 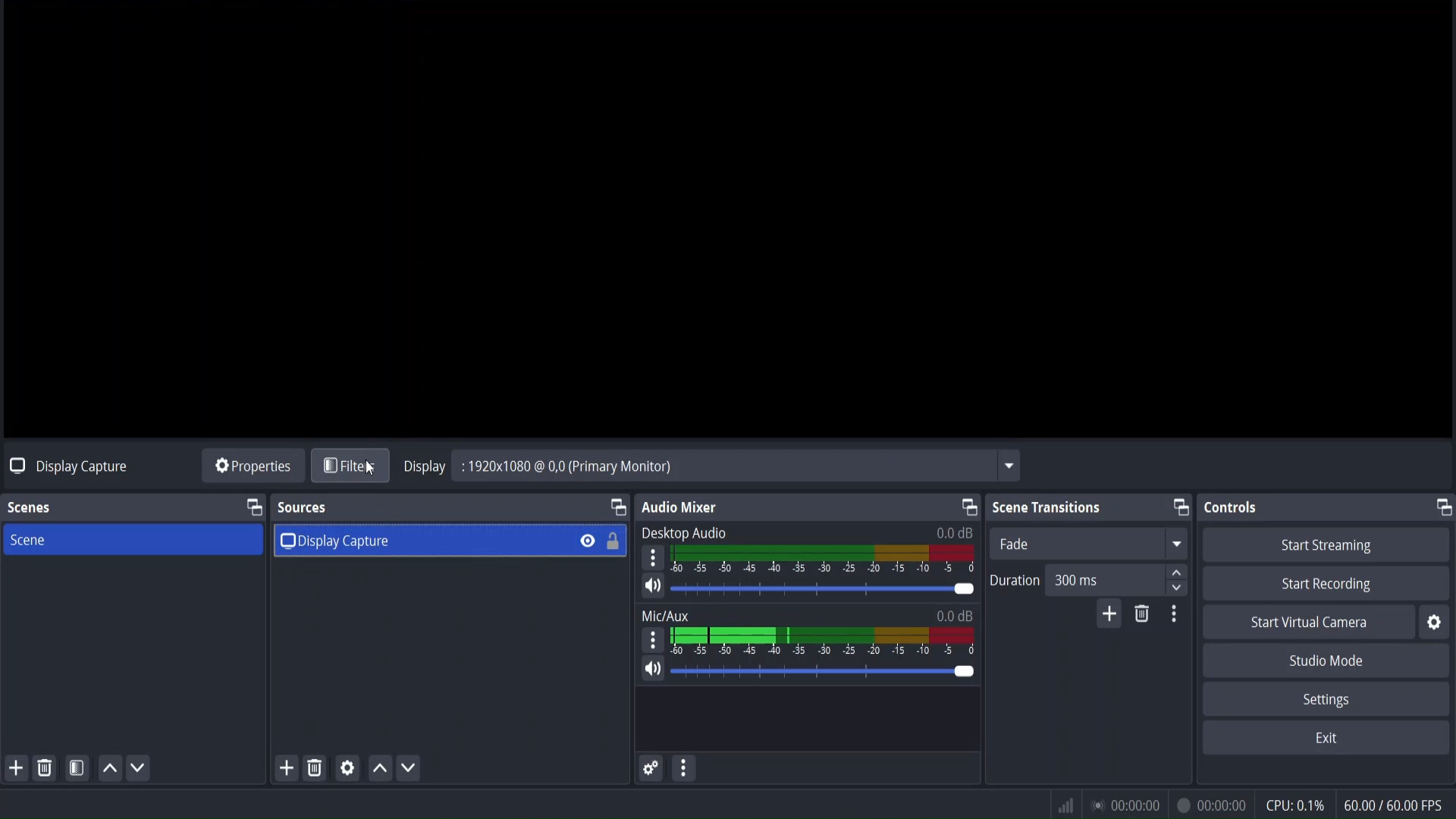 What do you see at coordinates (965, 507) in the screenshot?
I see `change tab layout` at bounding box center [965, 507].